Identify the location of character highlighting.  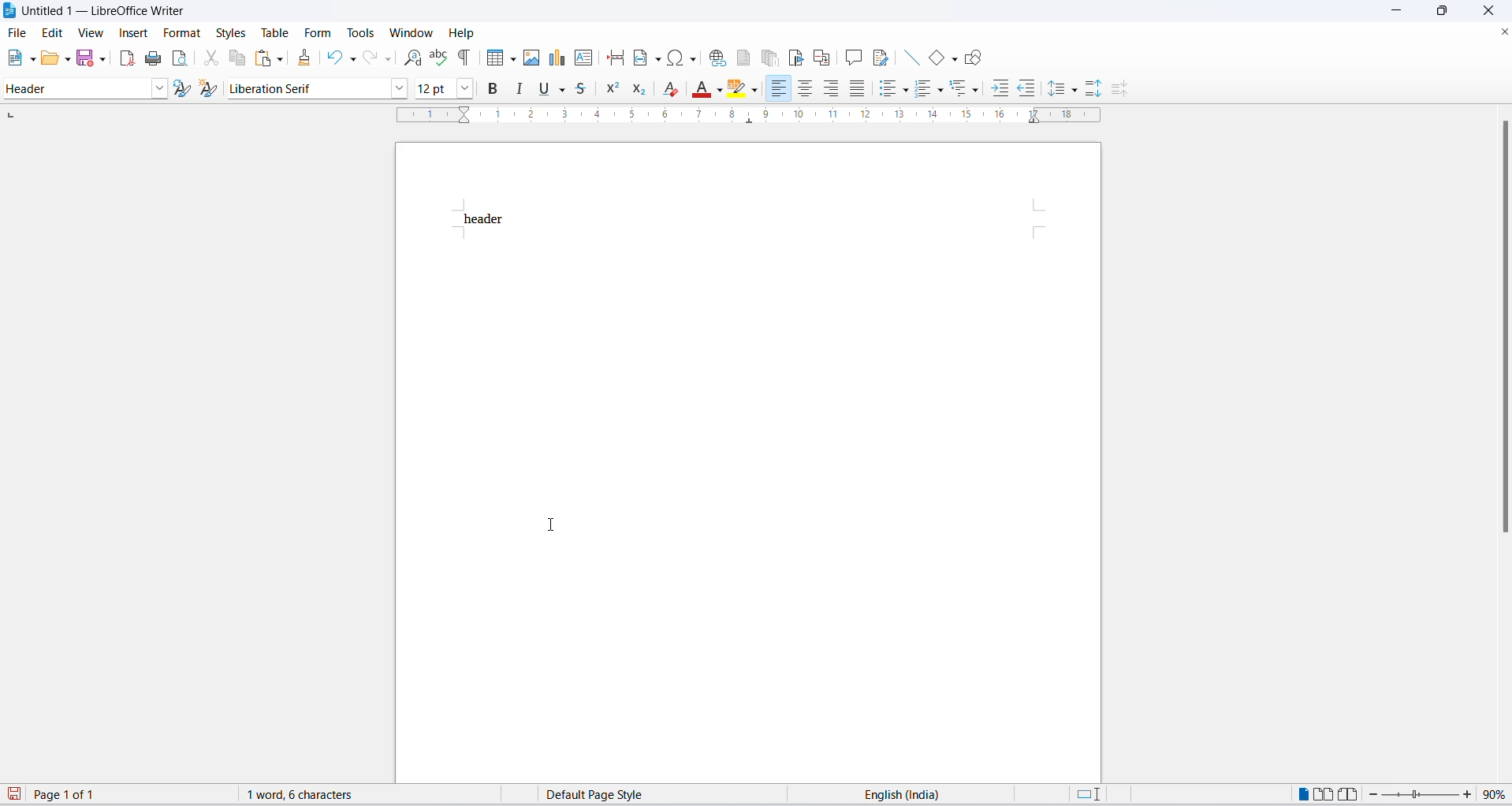
(738, 90).